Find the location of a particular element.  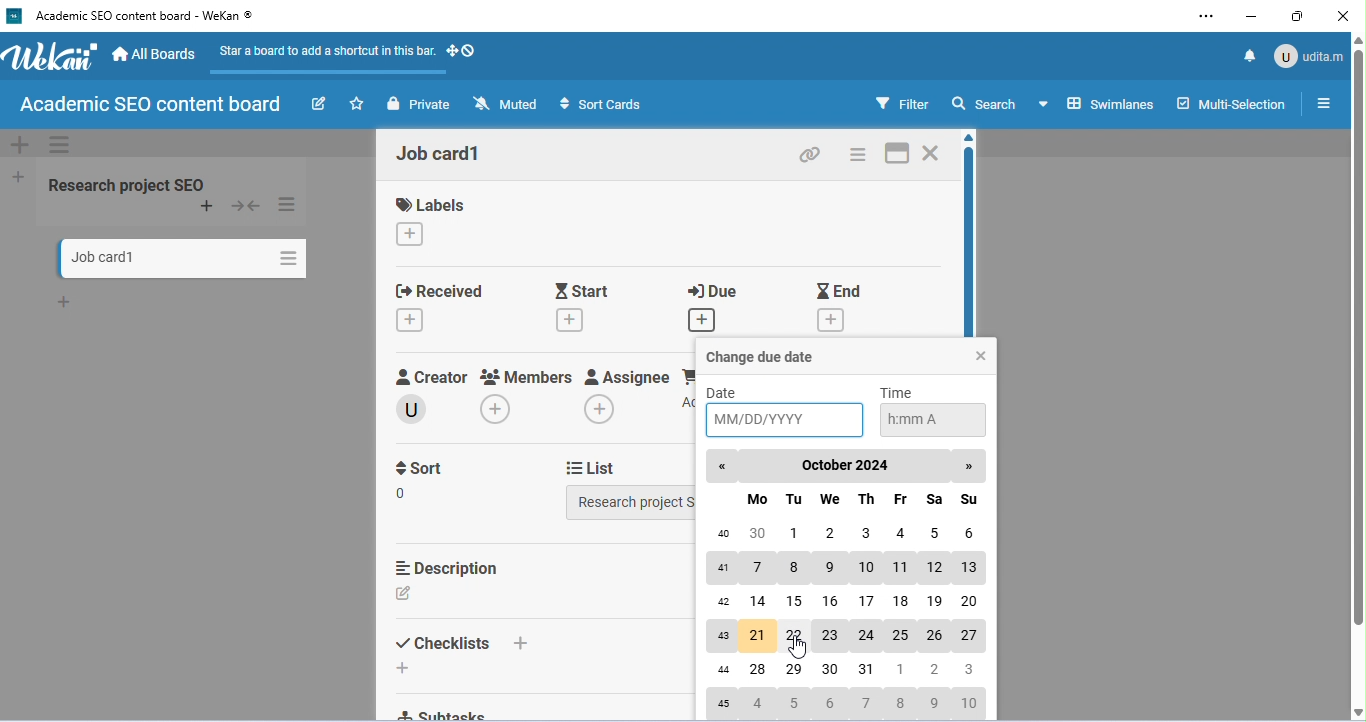

Calendar of October, 2024 is located at coordinates (843, 602).